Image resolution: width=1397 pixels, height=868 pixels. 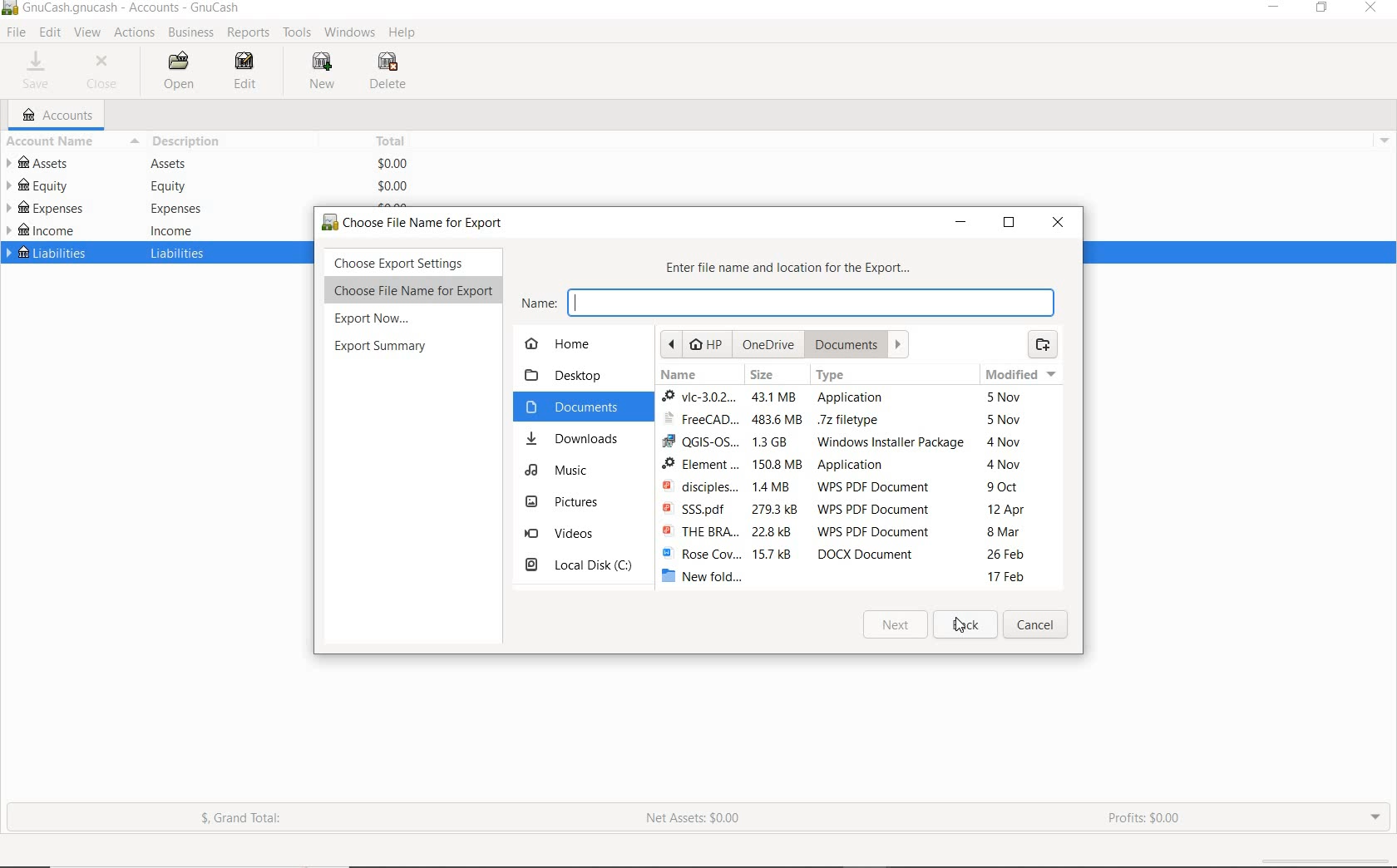 What do you see at coordinates (377, 318) in the screenshot?
I see `export now...` at bounding box center [377, 318].